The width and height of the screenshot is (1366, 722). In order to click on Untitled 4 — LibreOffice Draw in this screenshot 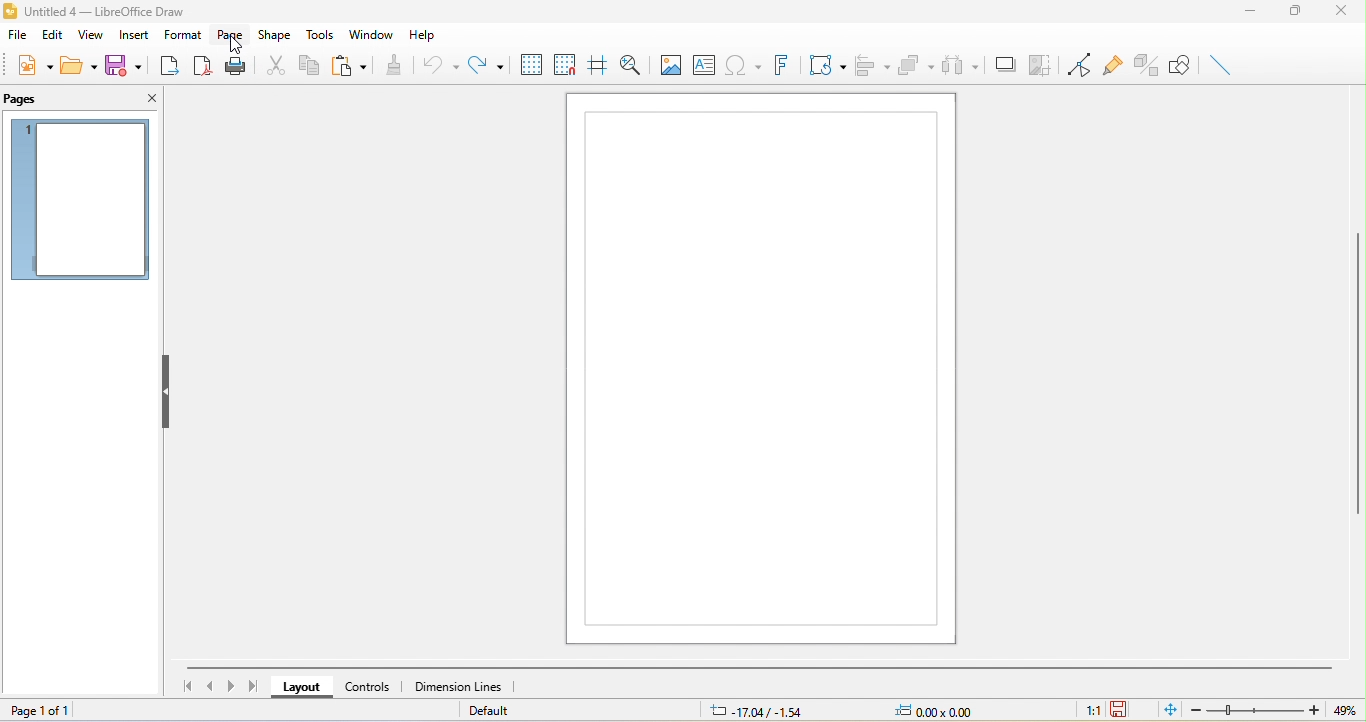, I will do `click(97, 9)`.